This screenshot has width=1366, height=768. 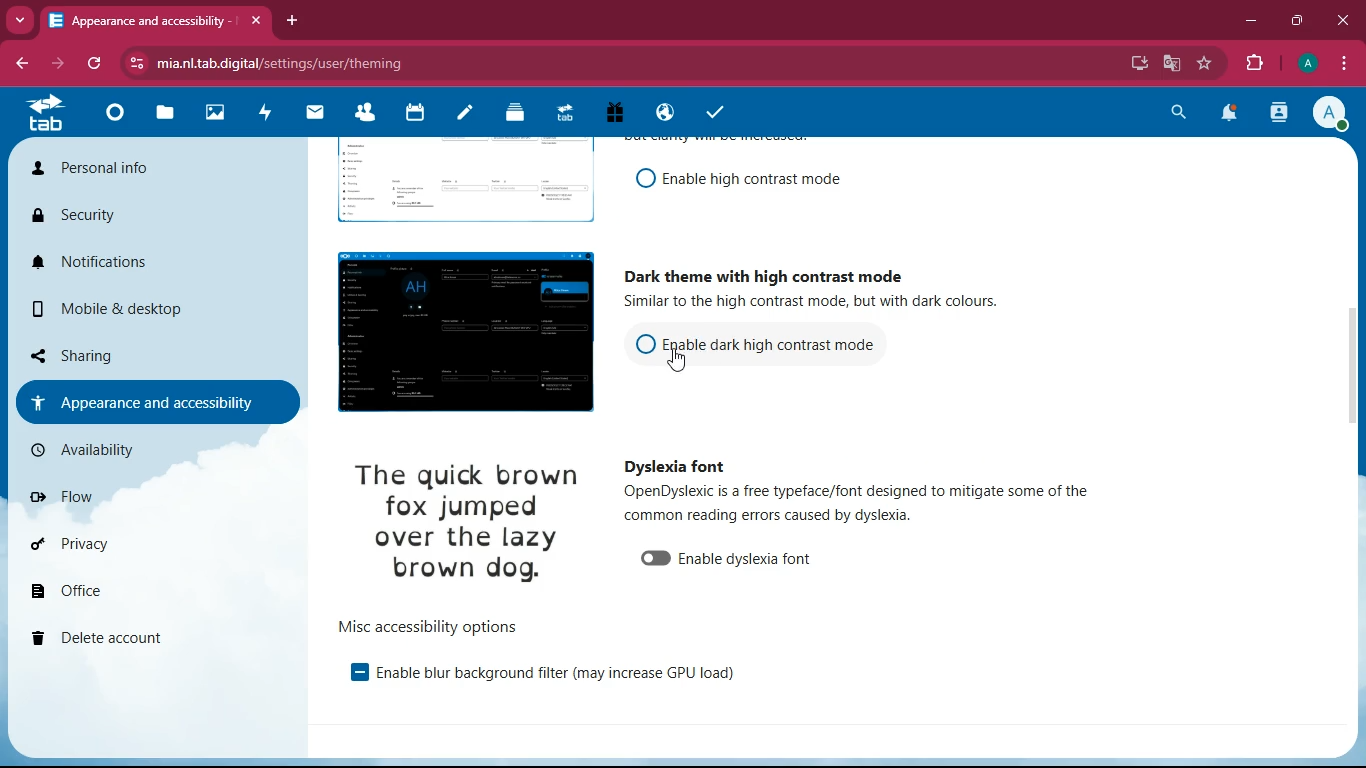 What do you see at coordinates (674, 467) in the screenshot?
I see `dyslexia font` at bounding box center [674, 467].